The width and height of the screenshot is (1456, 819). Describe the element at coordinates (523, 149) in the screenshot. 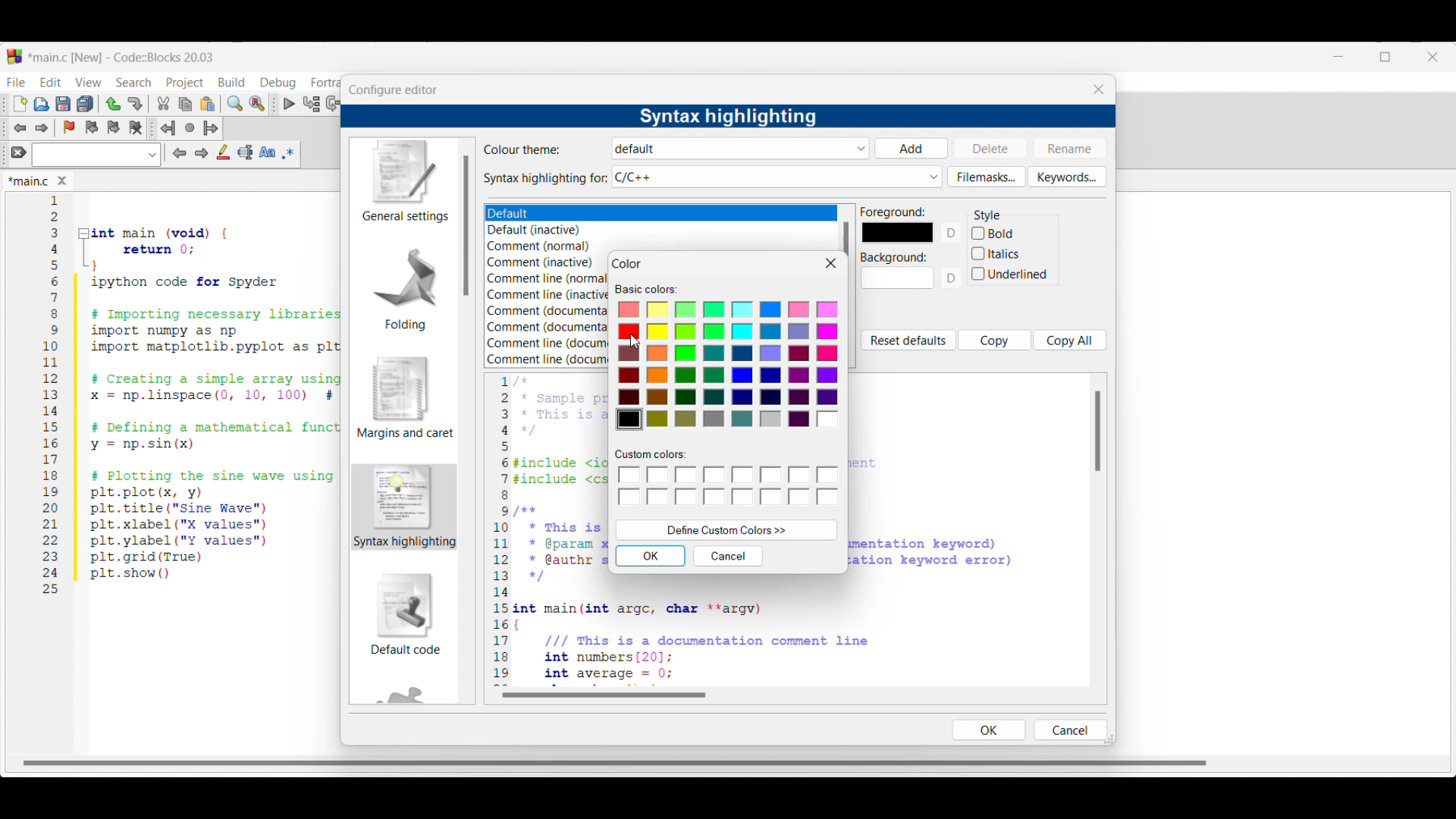

I see `Indicates color theme options` at that location.